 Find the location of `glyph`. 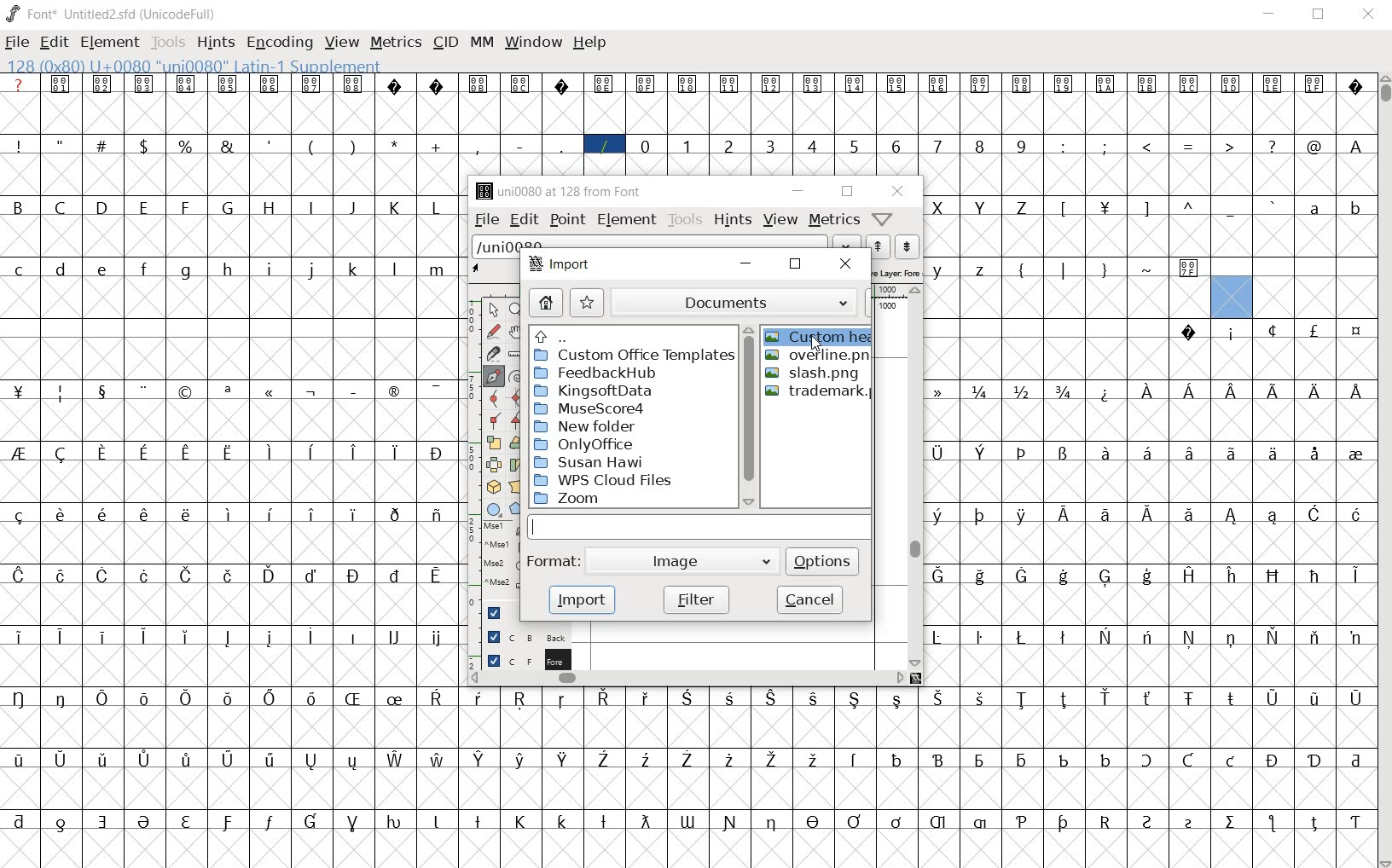

glyph is located at coordinates (979, 638).